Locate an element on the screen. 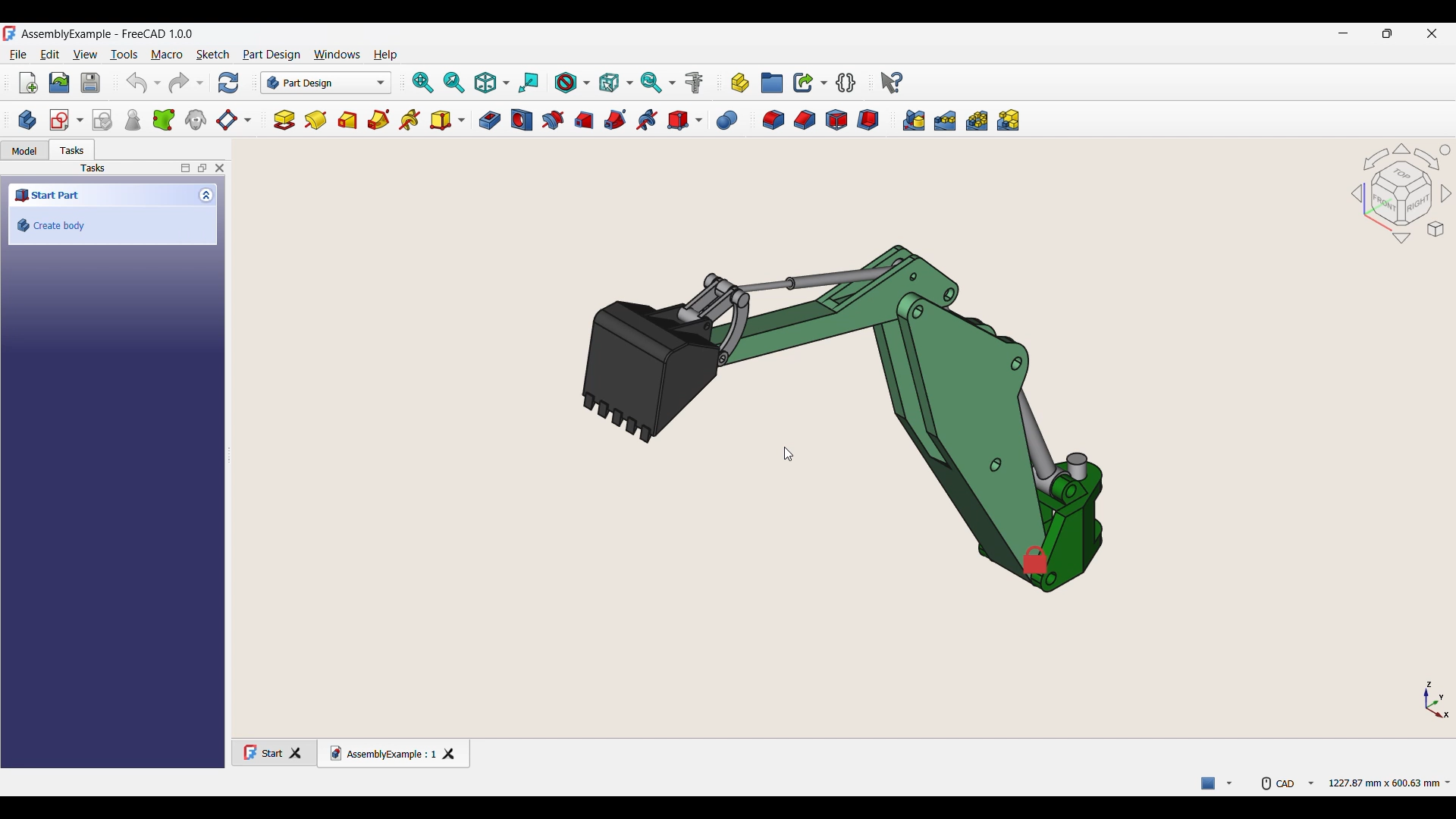  Hole is located at coordinates (522, 120).